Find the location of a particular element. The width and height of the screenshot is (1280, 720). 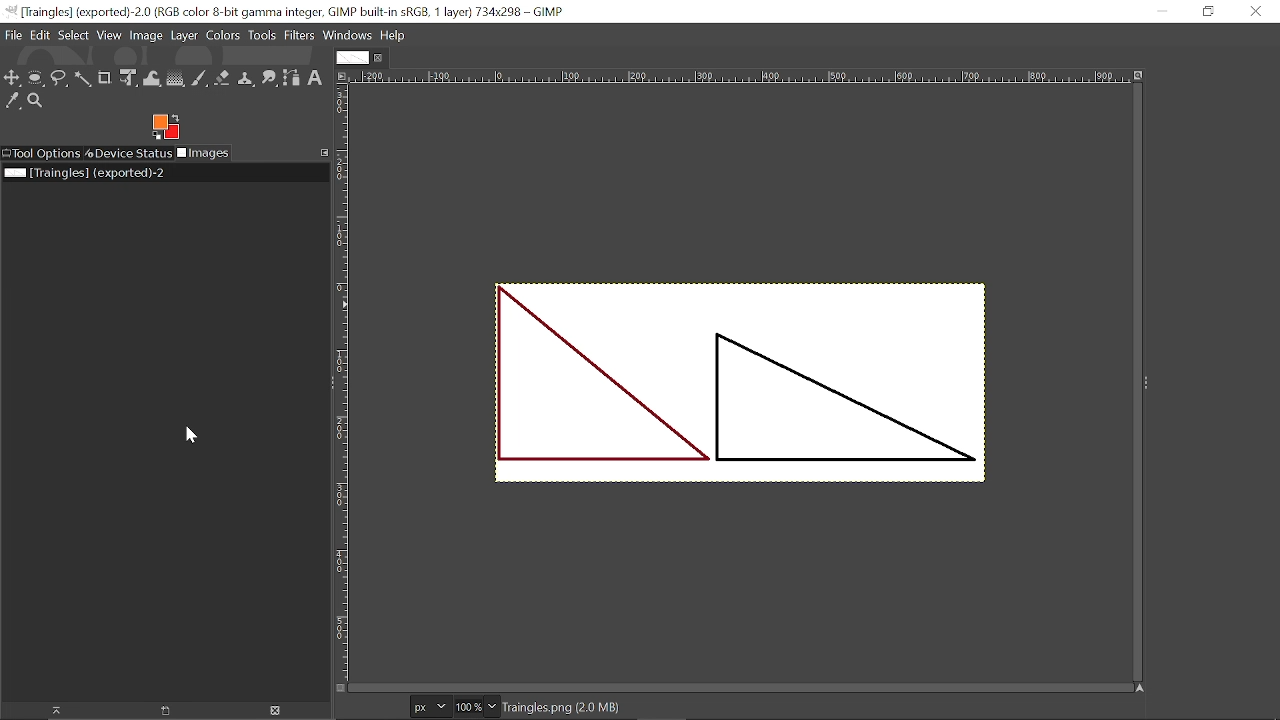

Change foreground tool is located at coordinates (169, 126).